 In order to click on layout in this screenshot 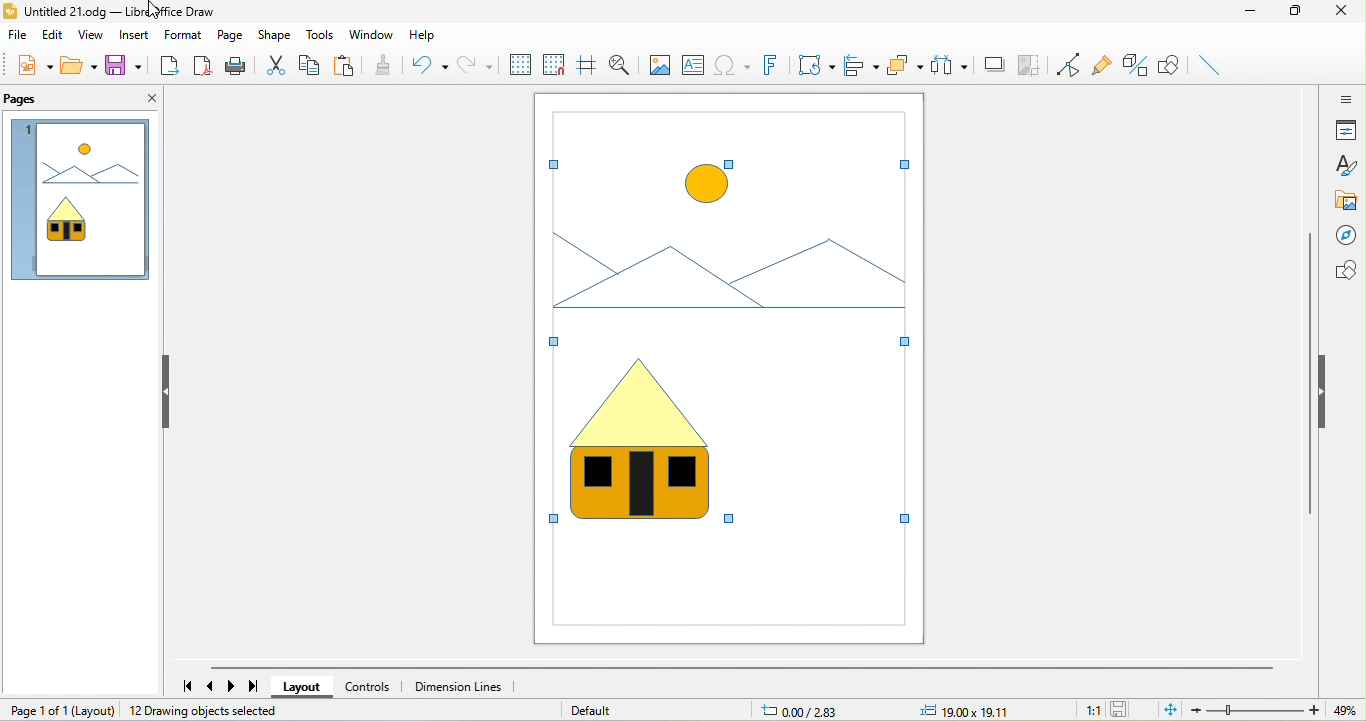, I will do `click(303, 688)`.